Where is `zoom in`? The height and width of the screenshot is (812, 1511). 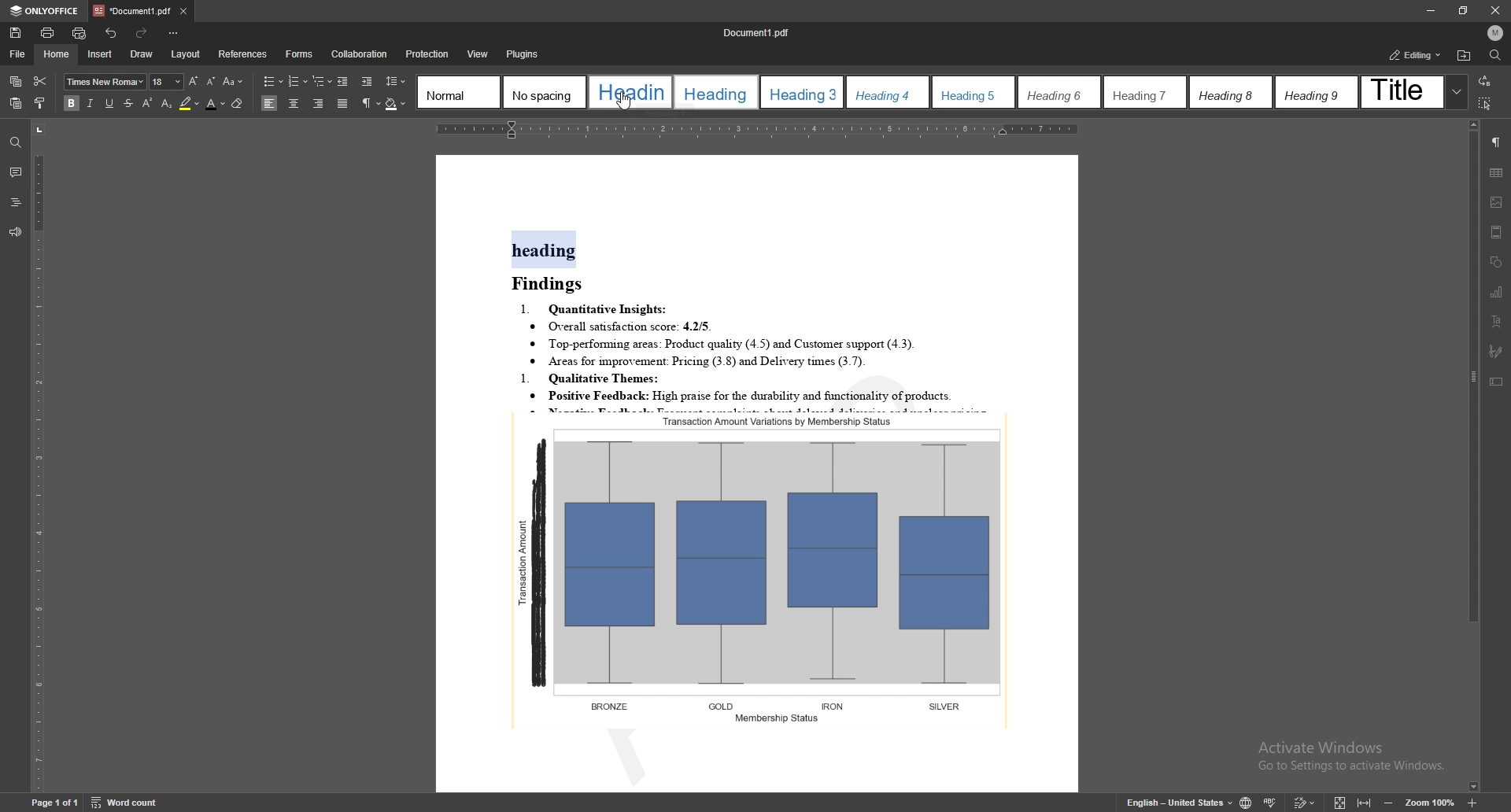 zoom in is located at coordinates (1475, 803).